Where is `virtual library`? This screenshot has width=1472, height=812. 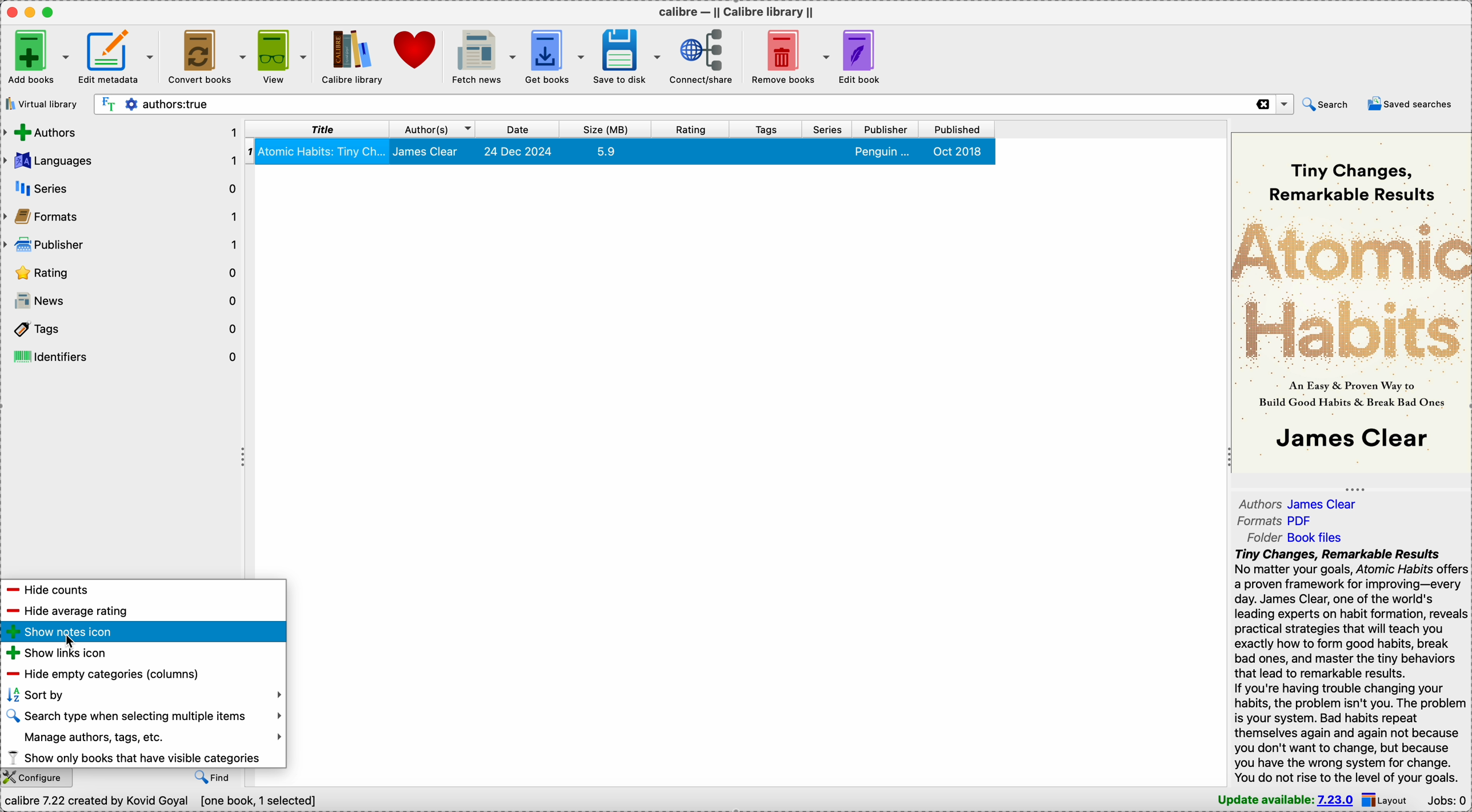 virtual library is located at coordinates (41, 103).